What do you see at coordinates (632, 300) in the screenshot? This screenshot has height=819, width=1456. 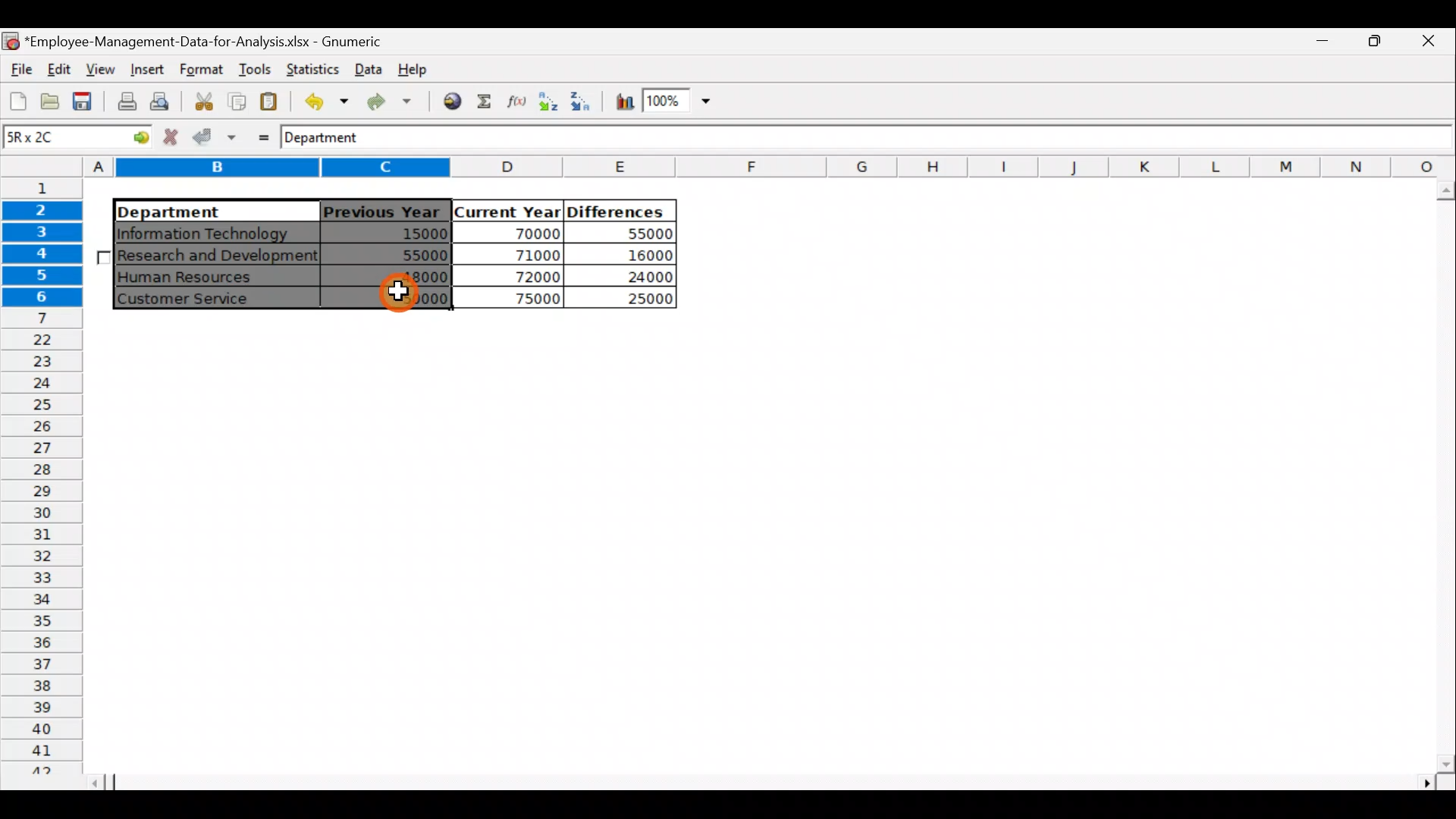 I see `25000` at bounding box center [632, 300].